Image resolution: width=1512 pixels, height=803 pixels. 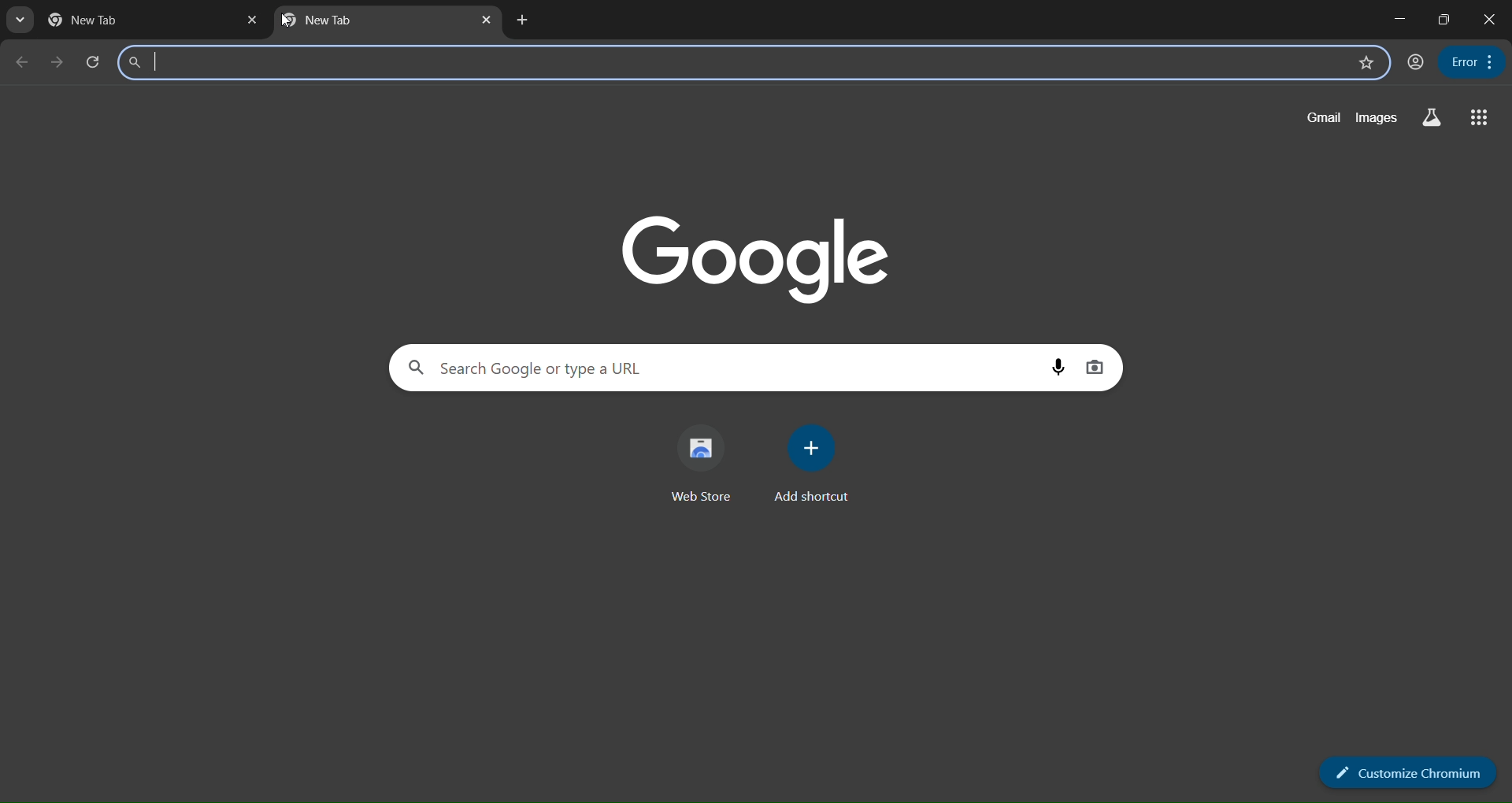 I want to click on cursor, so click(x=289, y=24).